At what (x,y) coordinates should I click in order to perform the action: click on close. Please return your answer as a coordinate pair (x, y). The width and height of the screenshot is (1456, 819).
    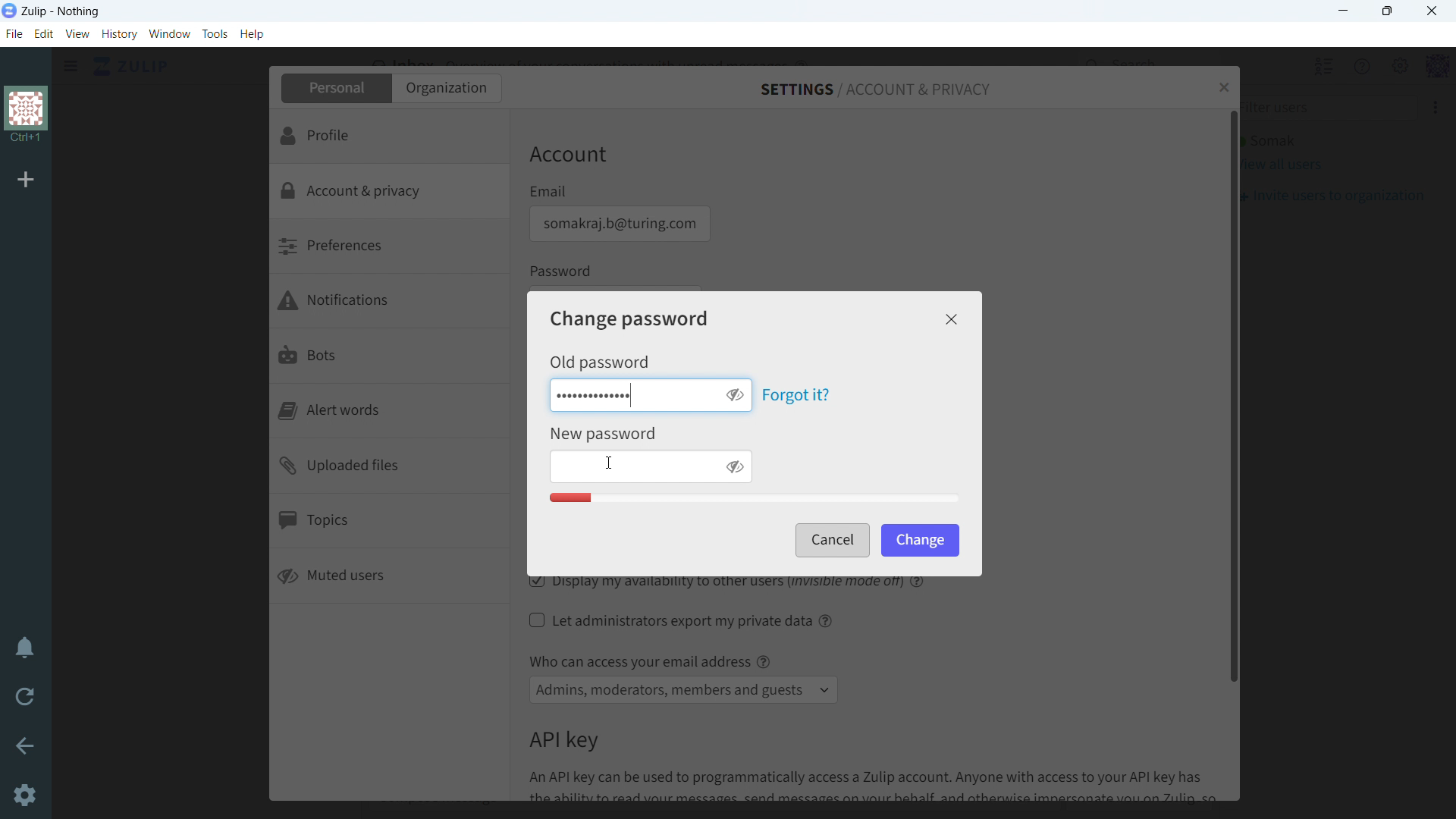
    Looking at the image, I should click on (1432, 11).